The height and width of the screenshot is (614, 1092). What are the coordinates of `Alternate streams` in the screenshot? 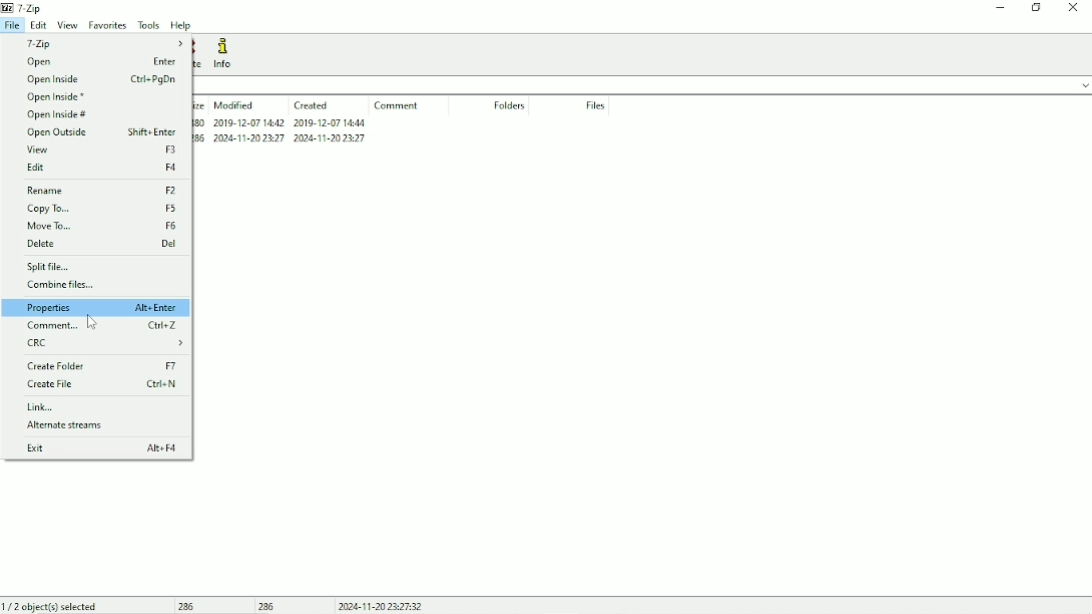 It's located at (70, 425).